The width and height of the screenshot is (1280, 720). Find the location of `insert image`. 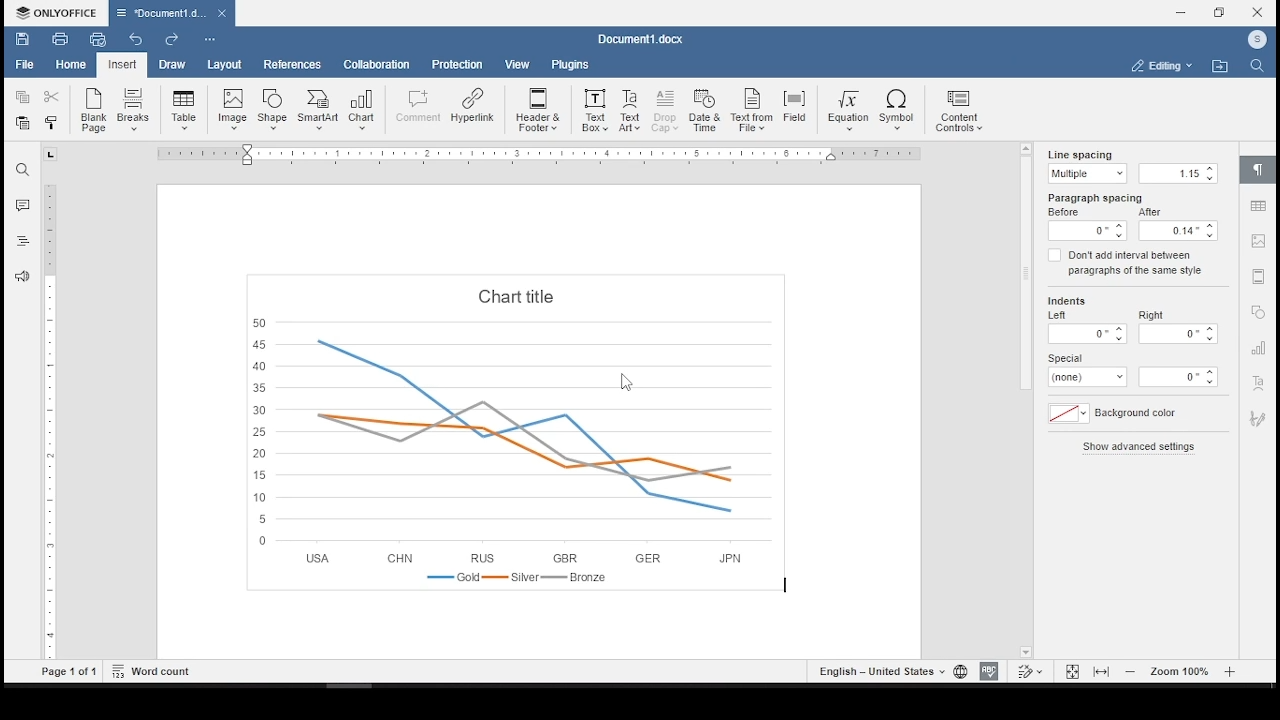

insert image is located at coordinates (231, 110).